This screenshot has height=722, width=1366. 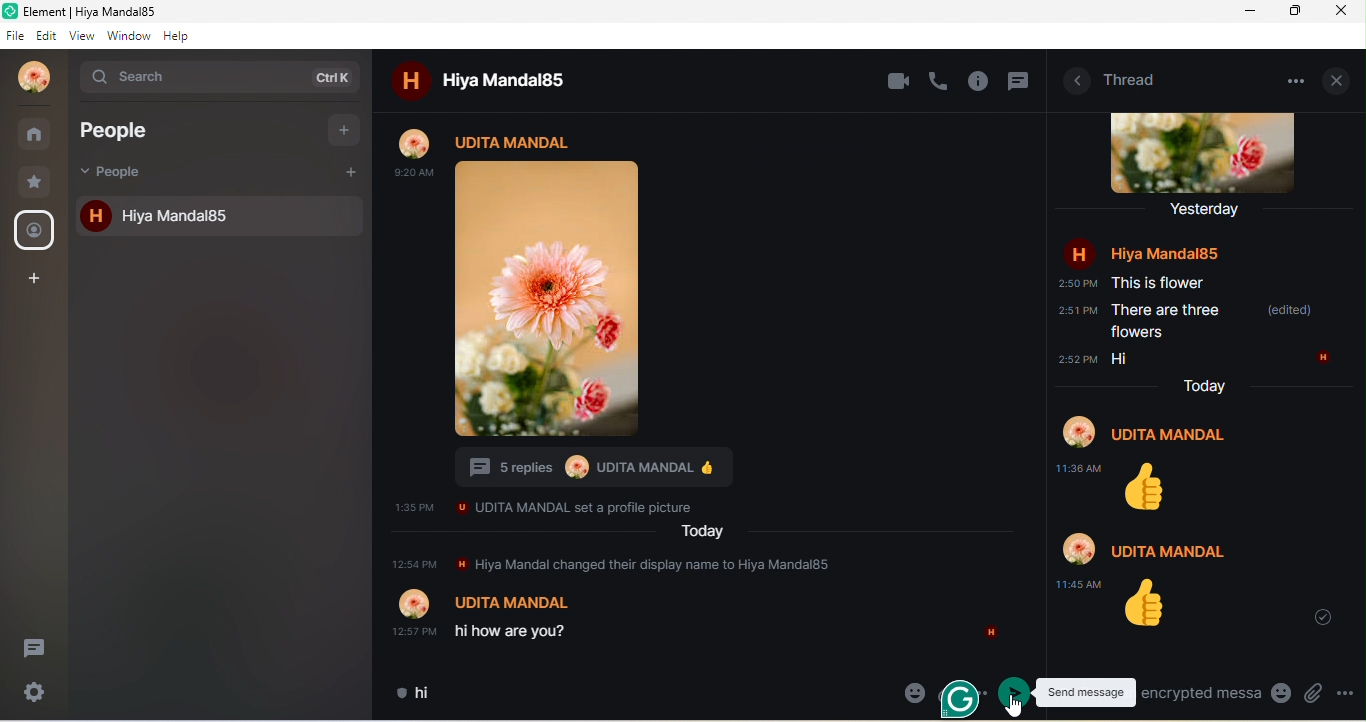 I want to click on settings, so click(x=35, y=694).